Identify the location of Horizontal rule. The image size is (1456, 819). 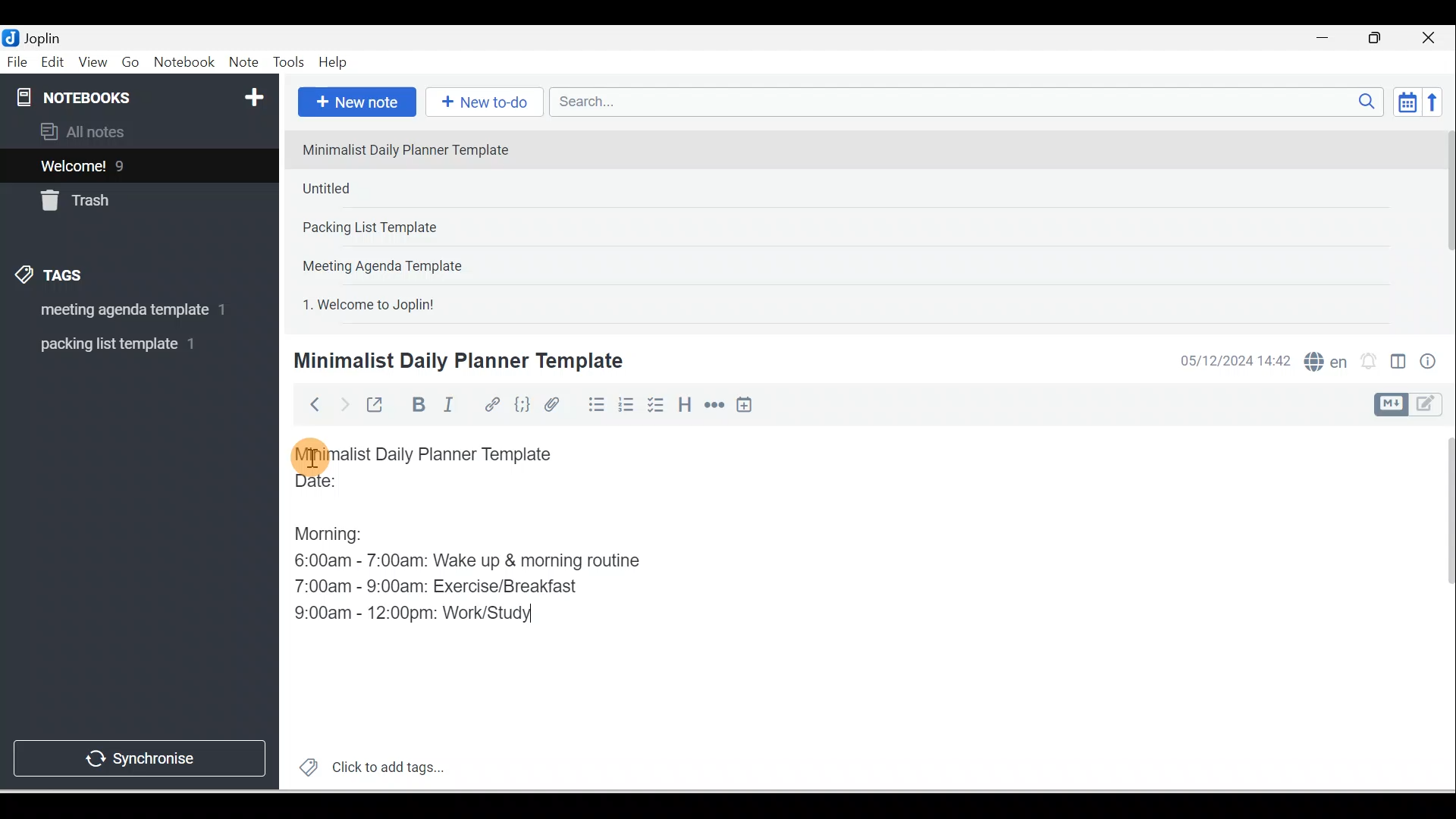
(716, 405).